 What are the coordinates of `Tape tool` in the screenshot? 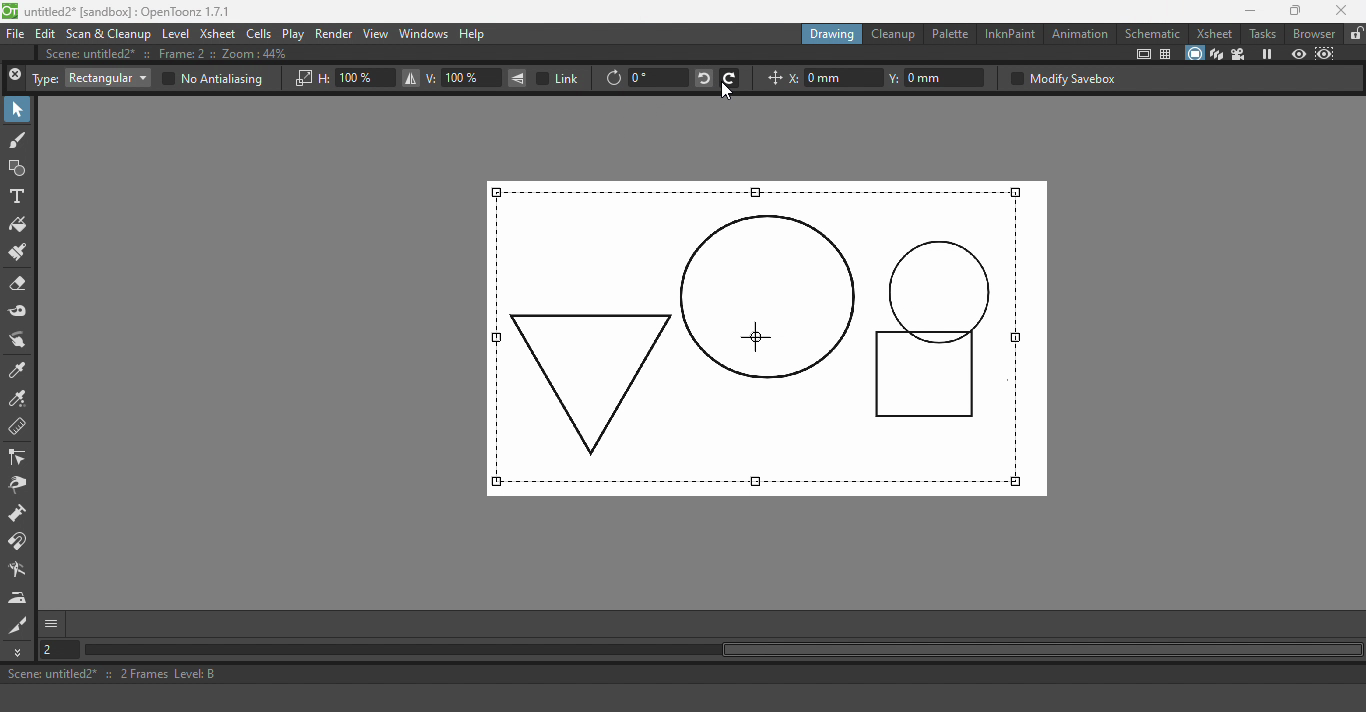 It's located at (19, 311).